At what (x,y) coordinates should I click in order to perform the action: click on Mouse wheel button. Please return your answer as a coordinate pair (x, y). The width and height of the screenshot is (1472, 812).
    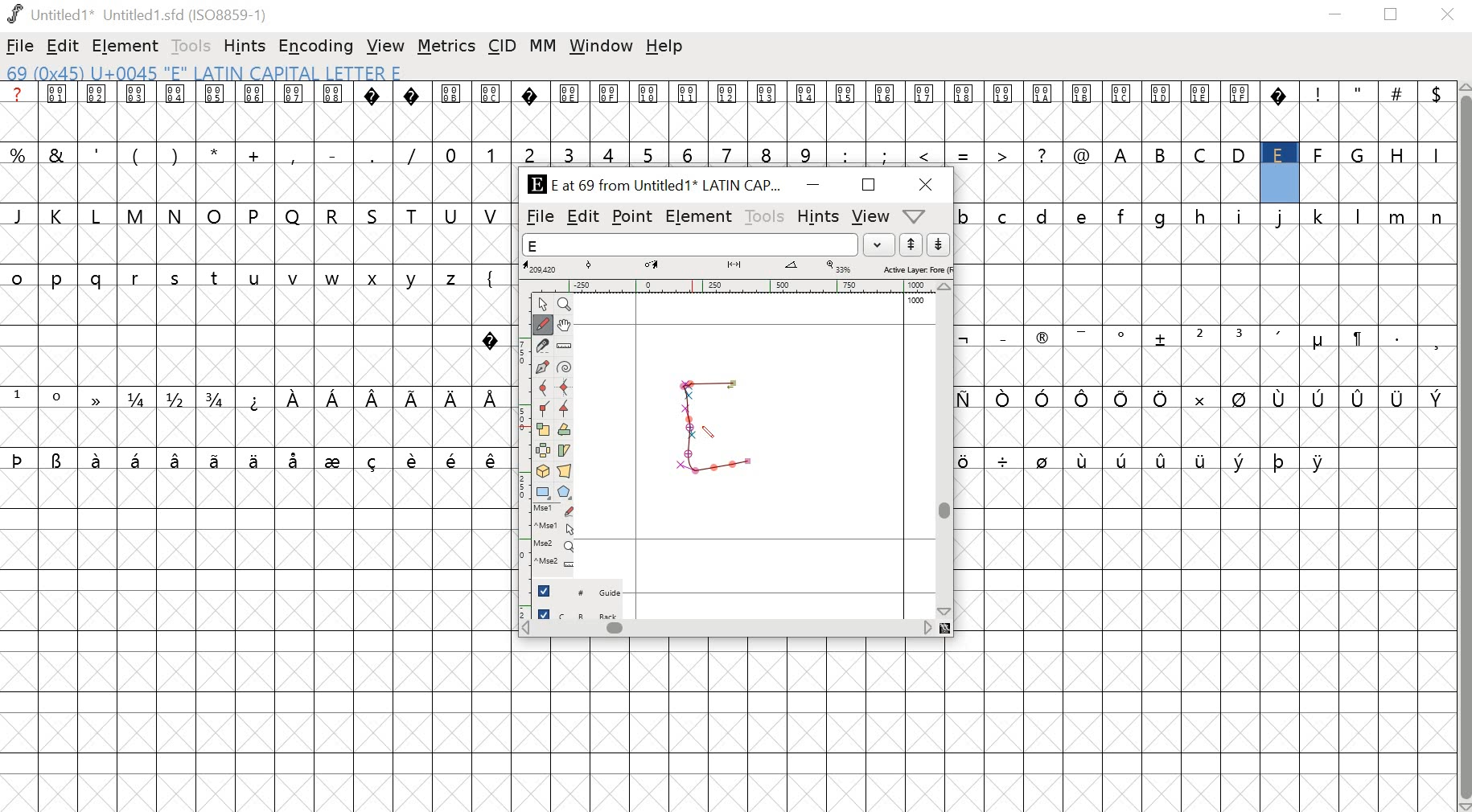
    Looking at the image, I should click on (553, 546).